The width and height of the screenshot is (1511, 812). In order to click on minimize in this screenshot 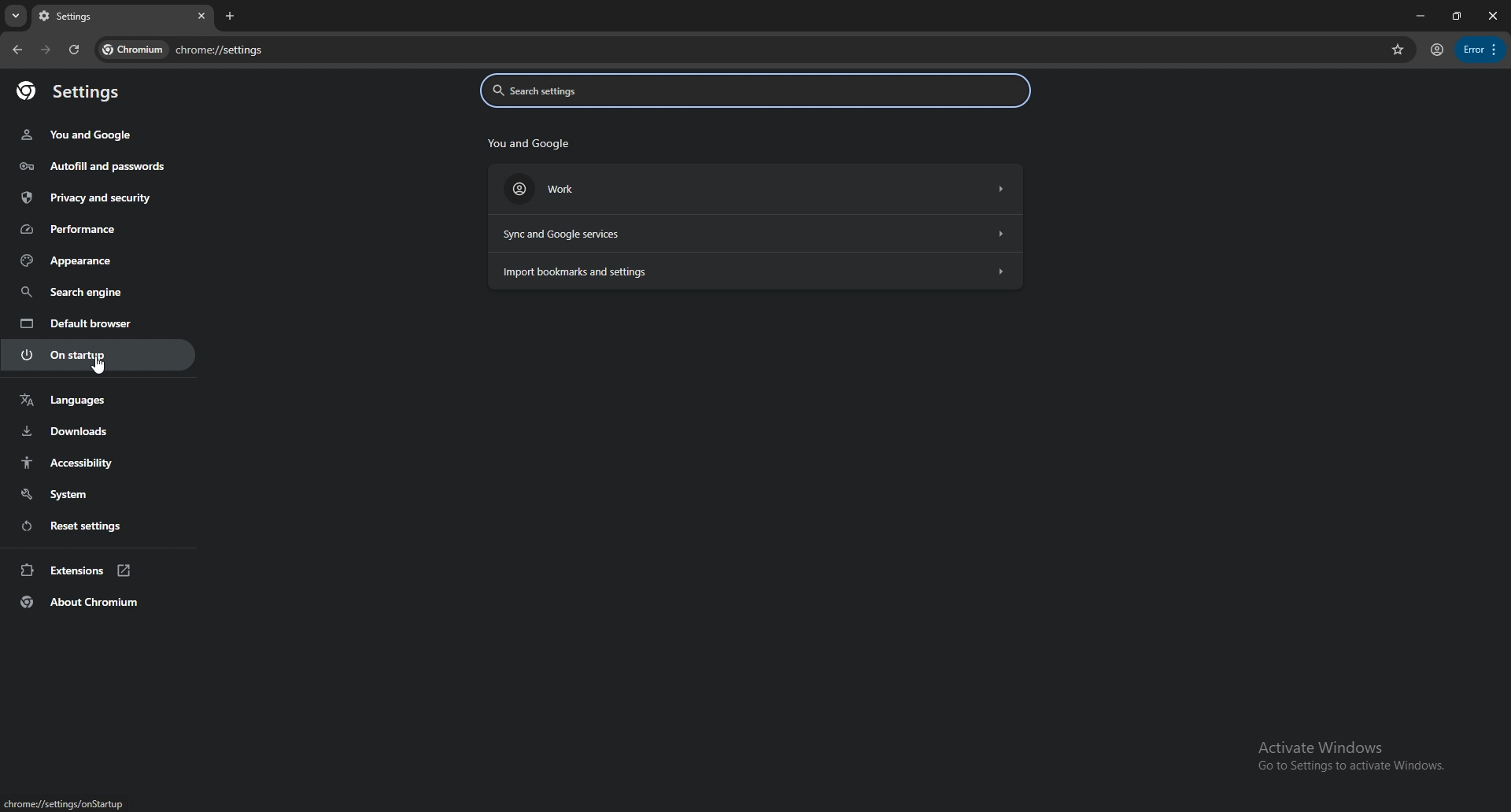, I will do `click(1417, 16)`.